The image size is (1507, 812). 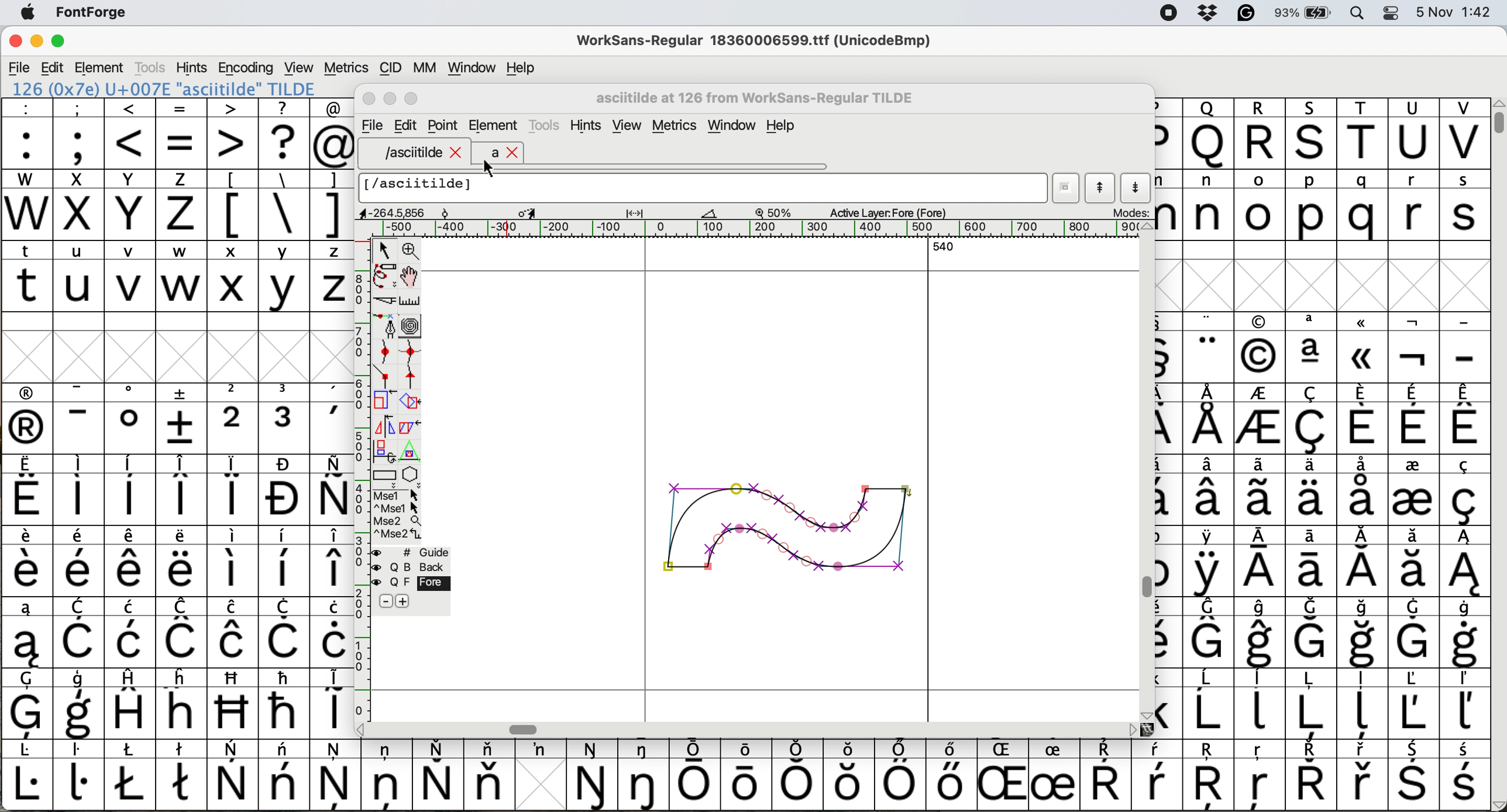 What do you see at coordinates (1260, 134) in the screenshot?
I see `R` at bounding box center [1260, 134].